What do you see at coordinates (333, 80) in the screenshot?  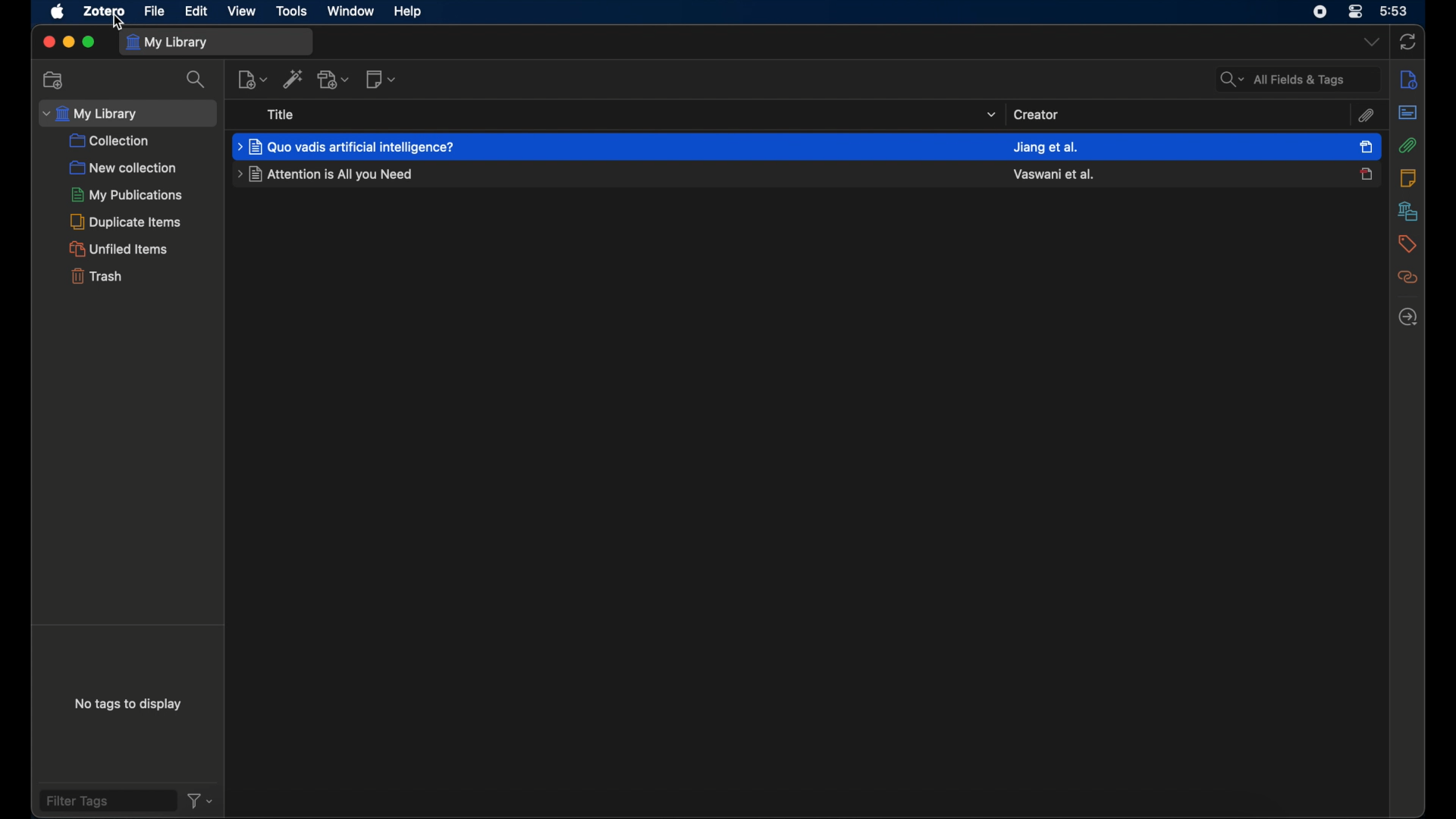 I see `add attachment` at bounding box center [333, 80].